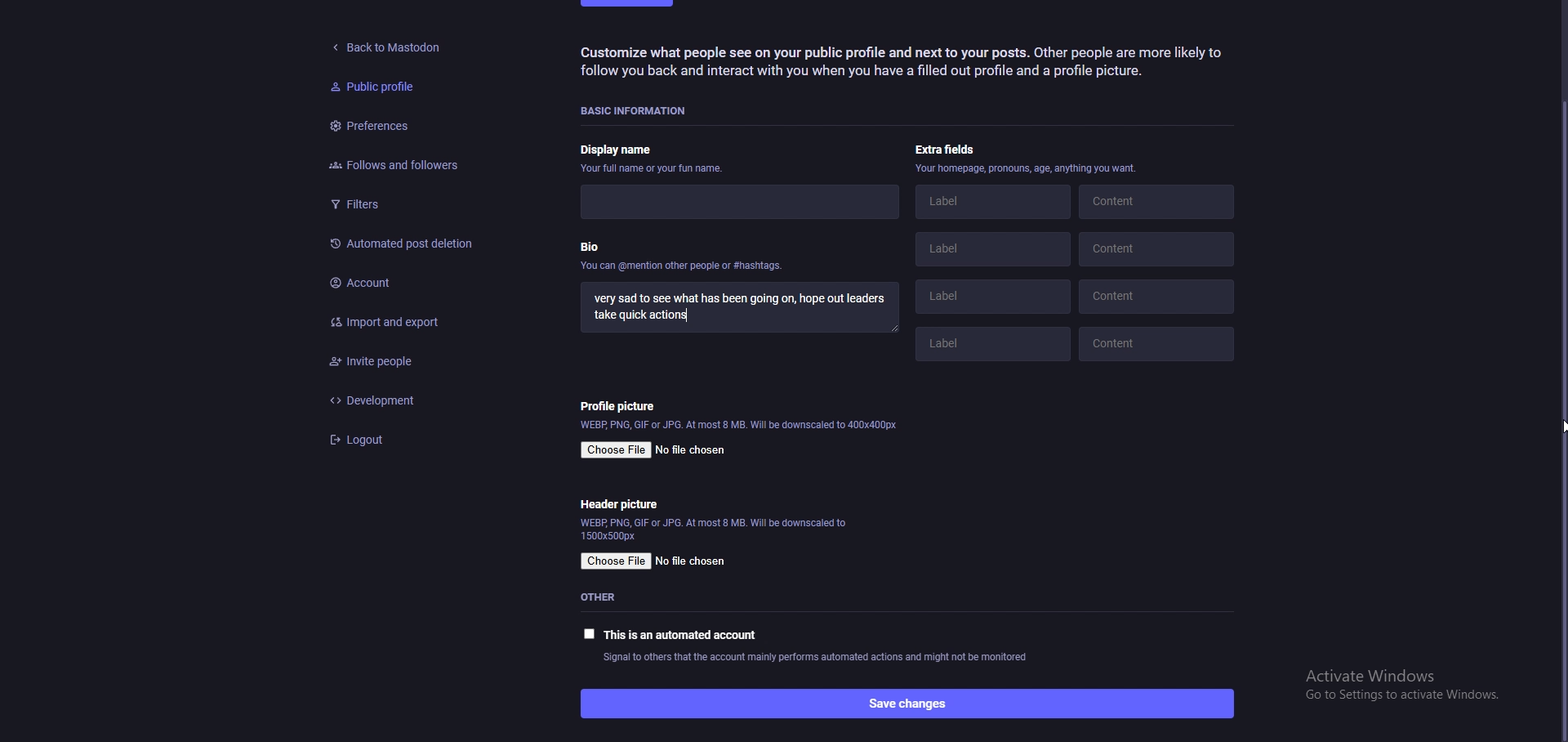  Describe the element at coordinates (1558, 418) in the screenshot. I see `scroll bar` at that location.